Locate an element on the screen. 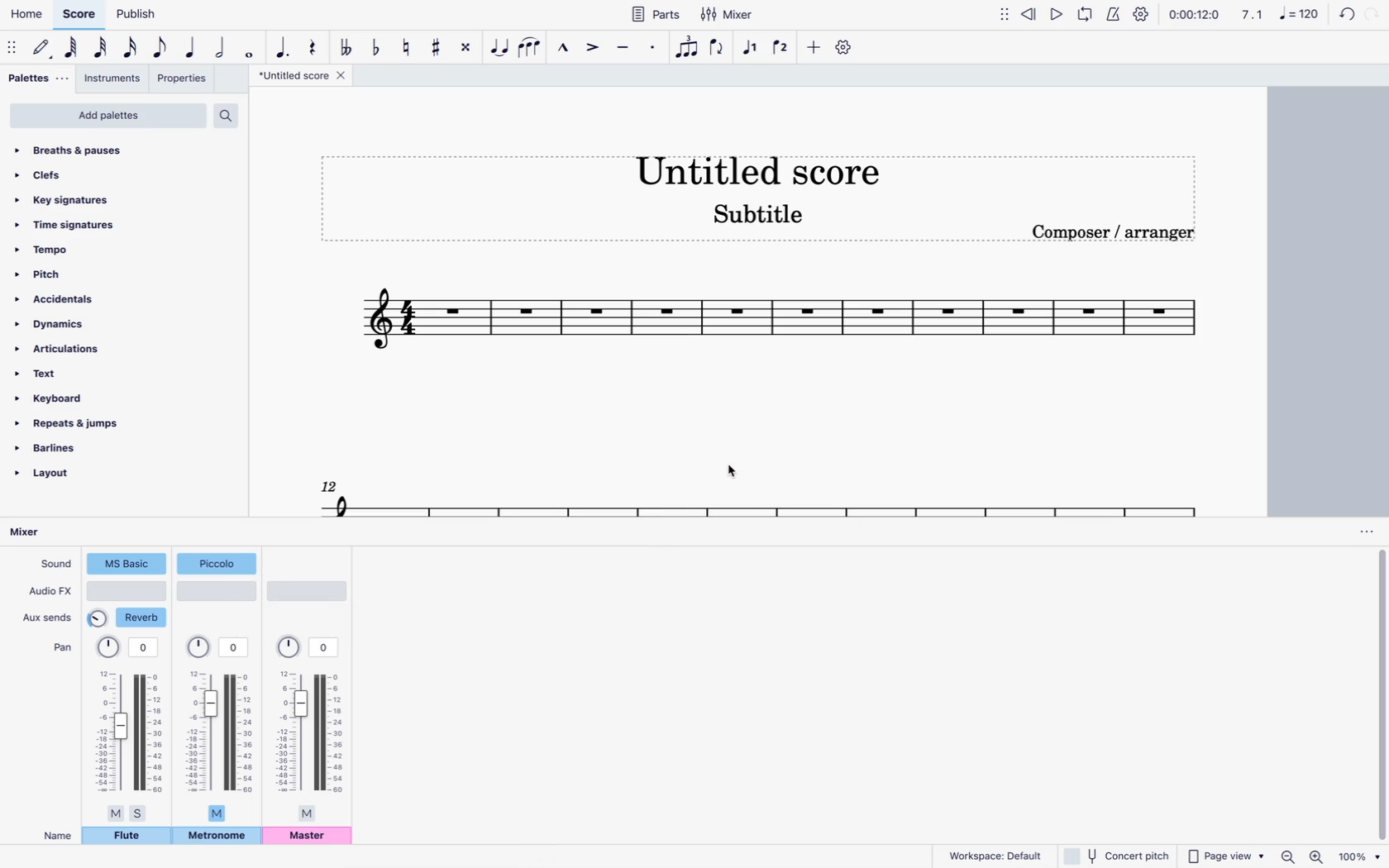  time is located at coordinates (1194, 16).